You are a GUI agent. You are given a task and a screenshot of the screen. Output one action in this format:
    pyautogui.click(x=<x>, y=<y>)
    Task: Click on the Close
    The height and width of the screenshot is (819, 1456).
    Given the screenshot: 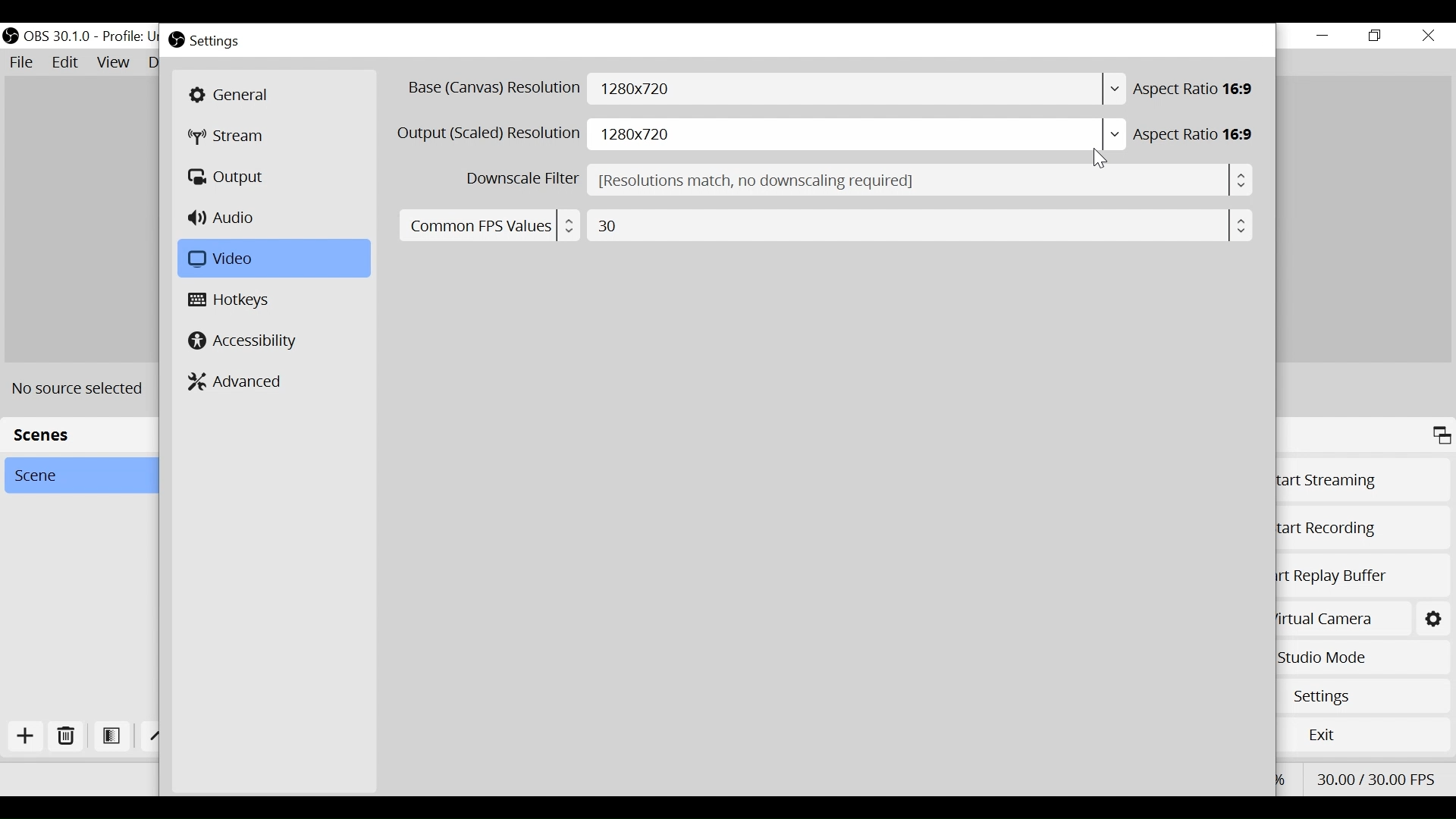 What is the action you would take?
    pyautogui.click(x=1428, y=35)
    